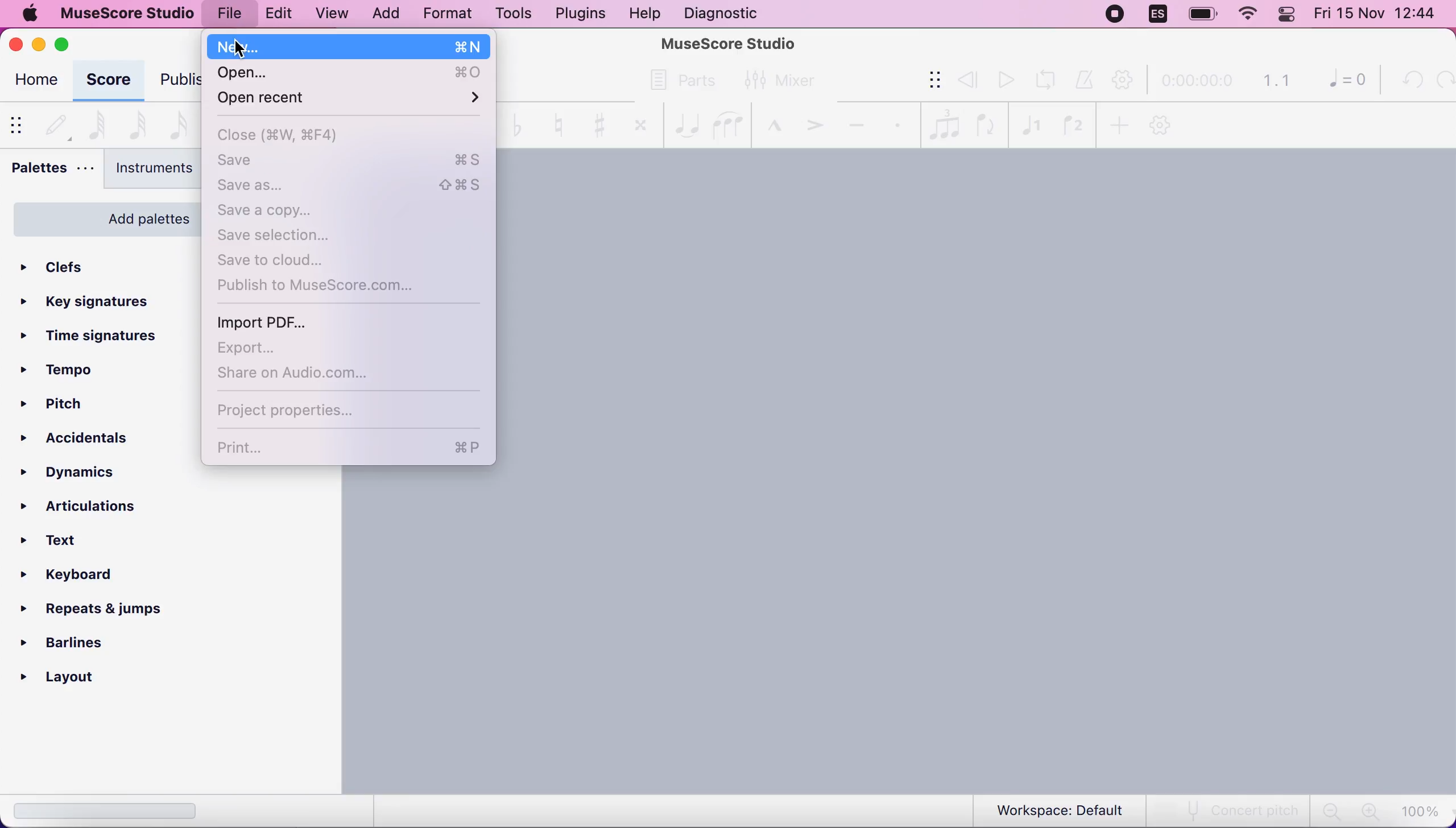  I want to click on default, so click(56, 122).